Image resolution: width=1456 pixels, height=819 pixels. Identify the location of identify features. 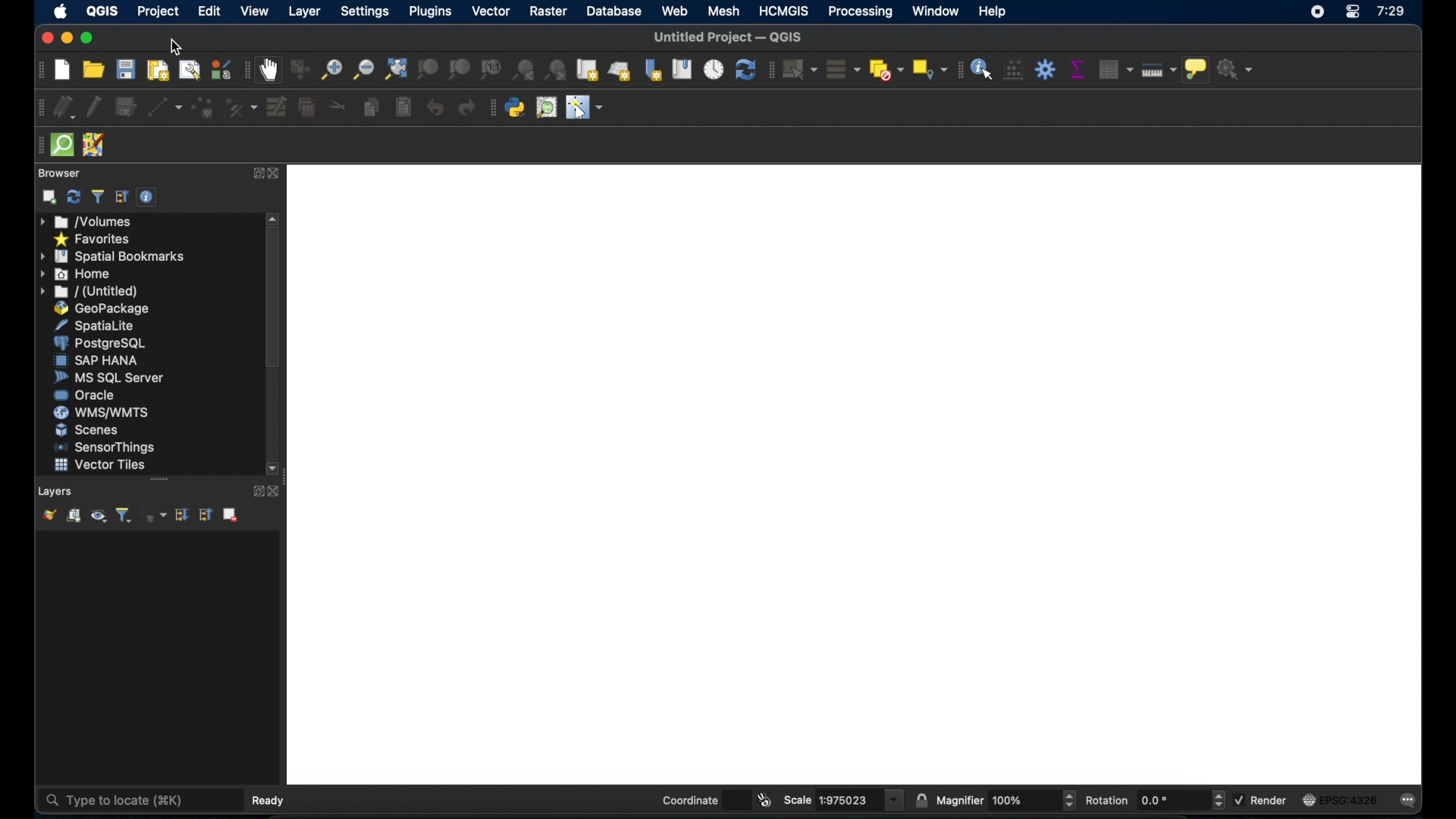
(984, 71).